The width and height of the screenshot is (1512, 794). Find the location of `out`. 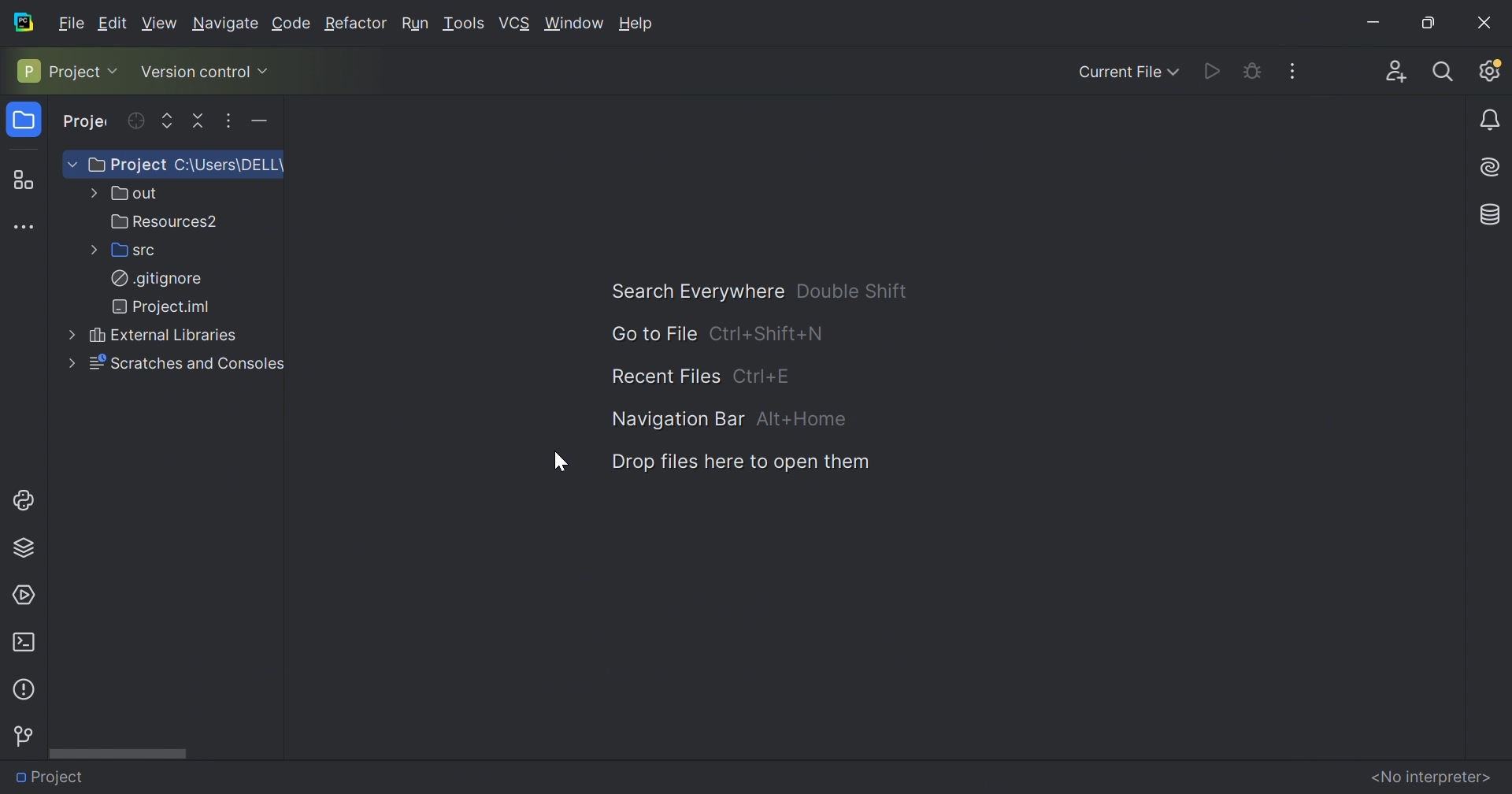

out is located at coordinates (130, 194).